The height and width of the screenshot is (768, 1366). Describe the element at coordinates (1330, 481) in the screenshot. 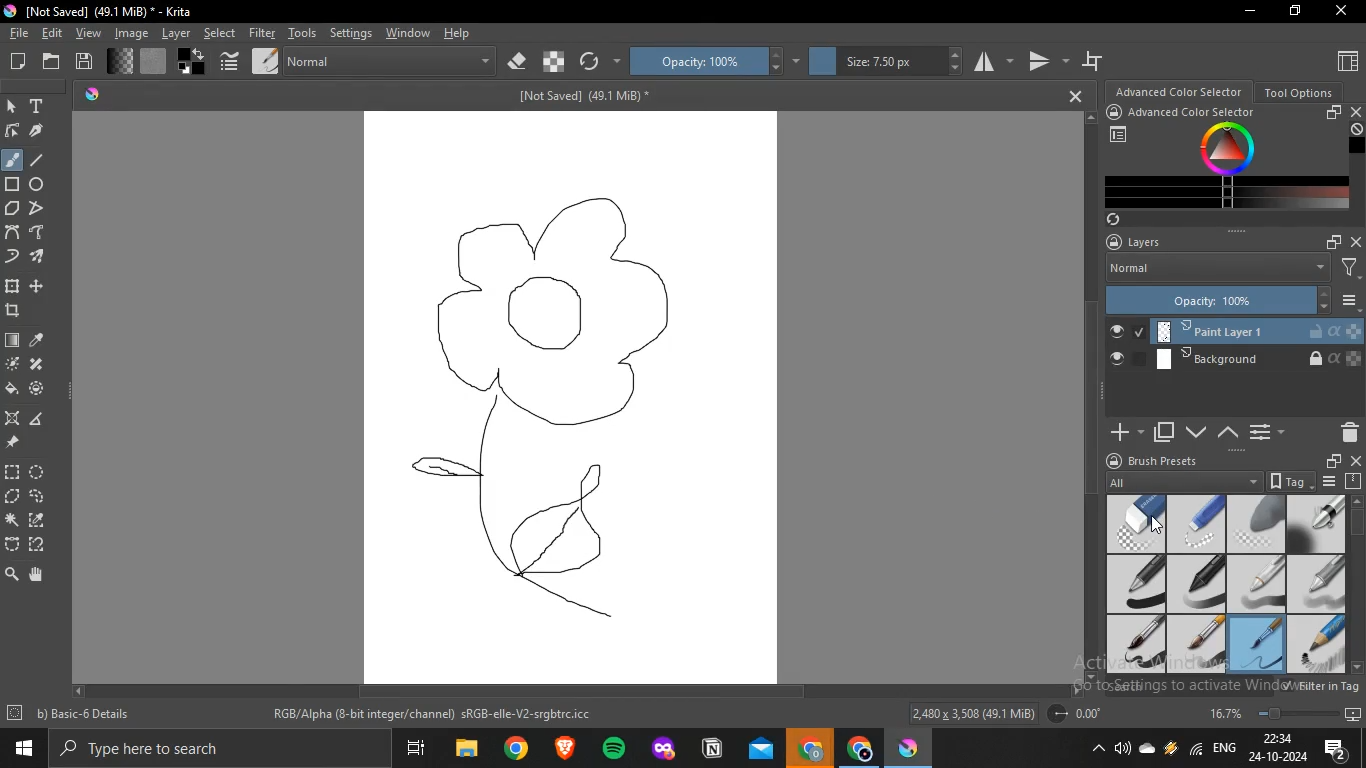

I see `Options` at that location.